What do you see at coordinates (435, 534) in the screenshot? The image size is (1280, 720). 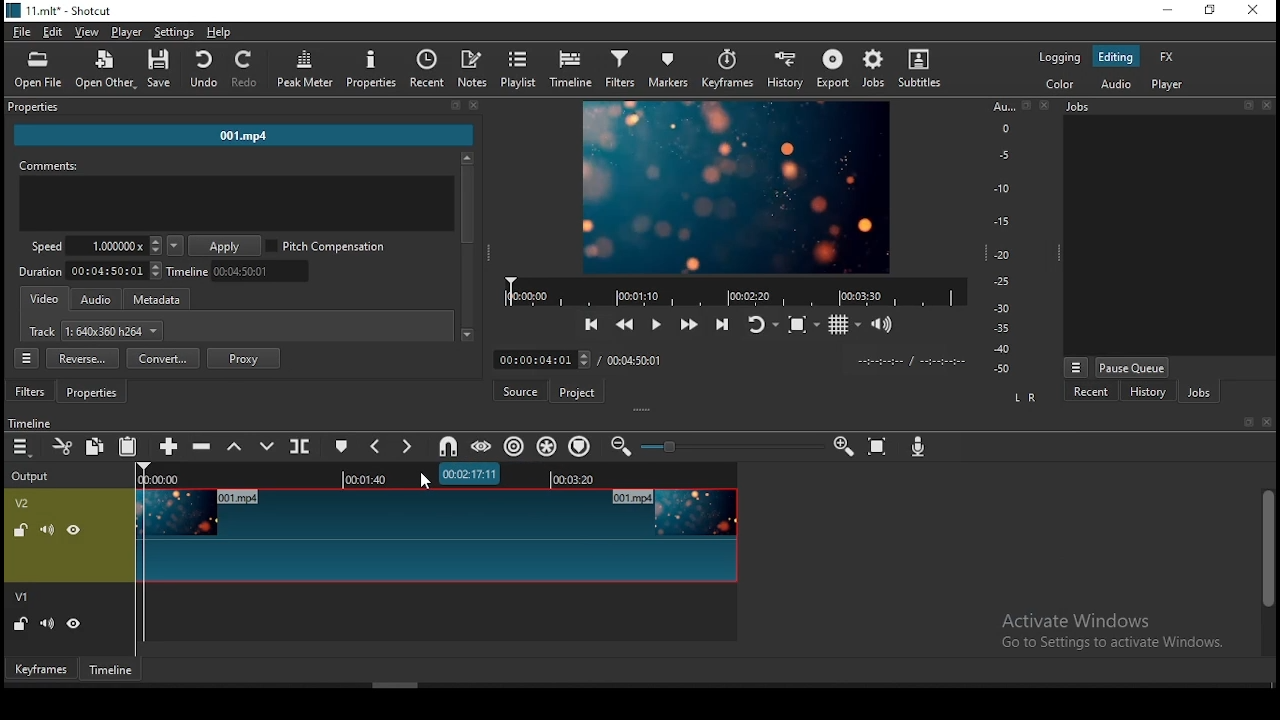 I see `video track V2` at bounding box center [435, 534].